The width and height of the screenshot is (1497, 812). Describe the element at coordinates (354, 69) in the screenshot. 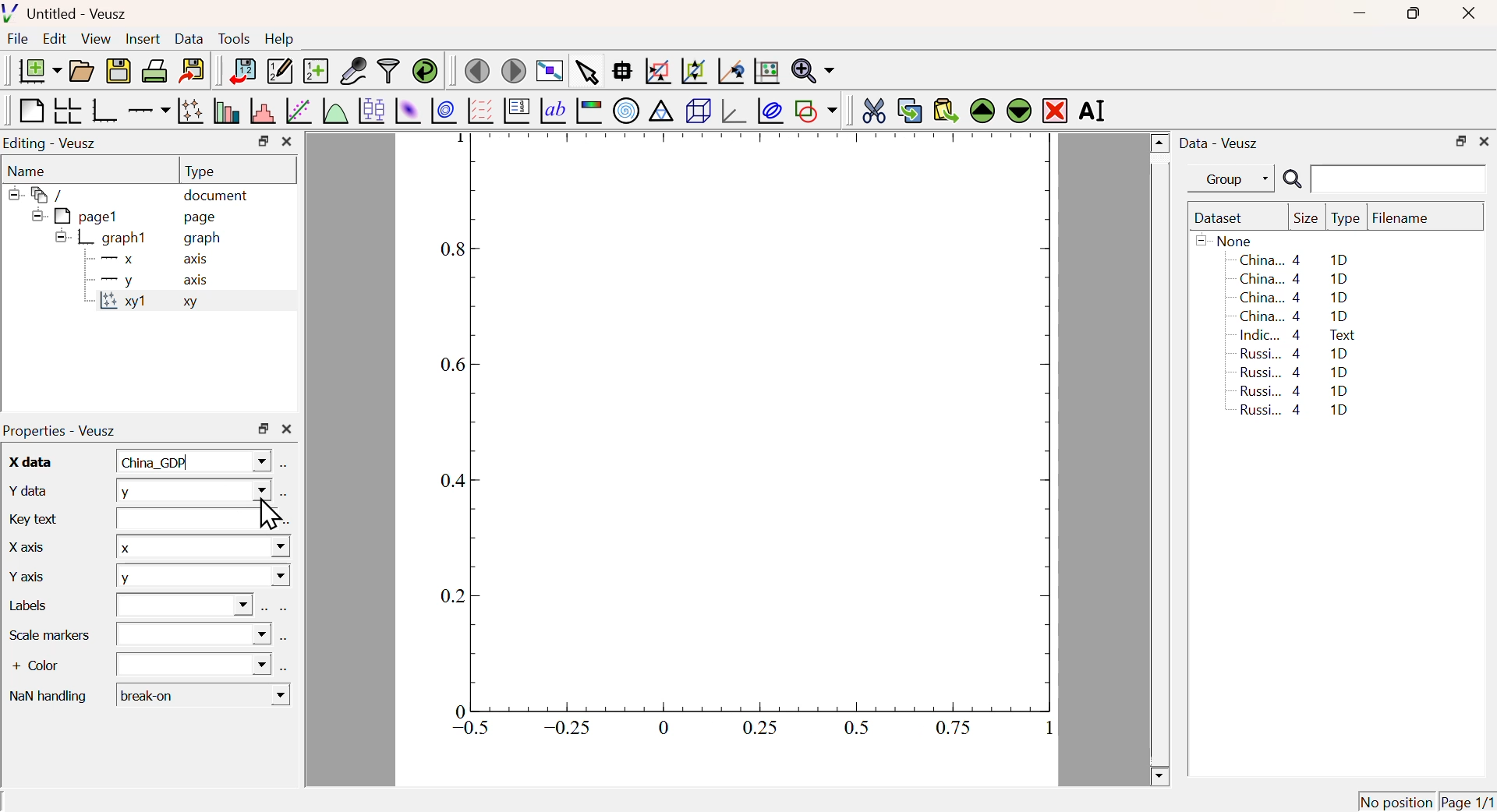

I see `Capture Remote Data` at that location.